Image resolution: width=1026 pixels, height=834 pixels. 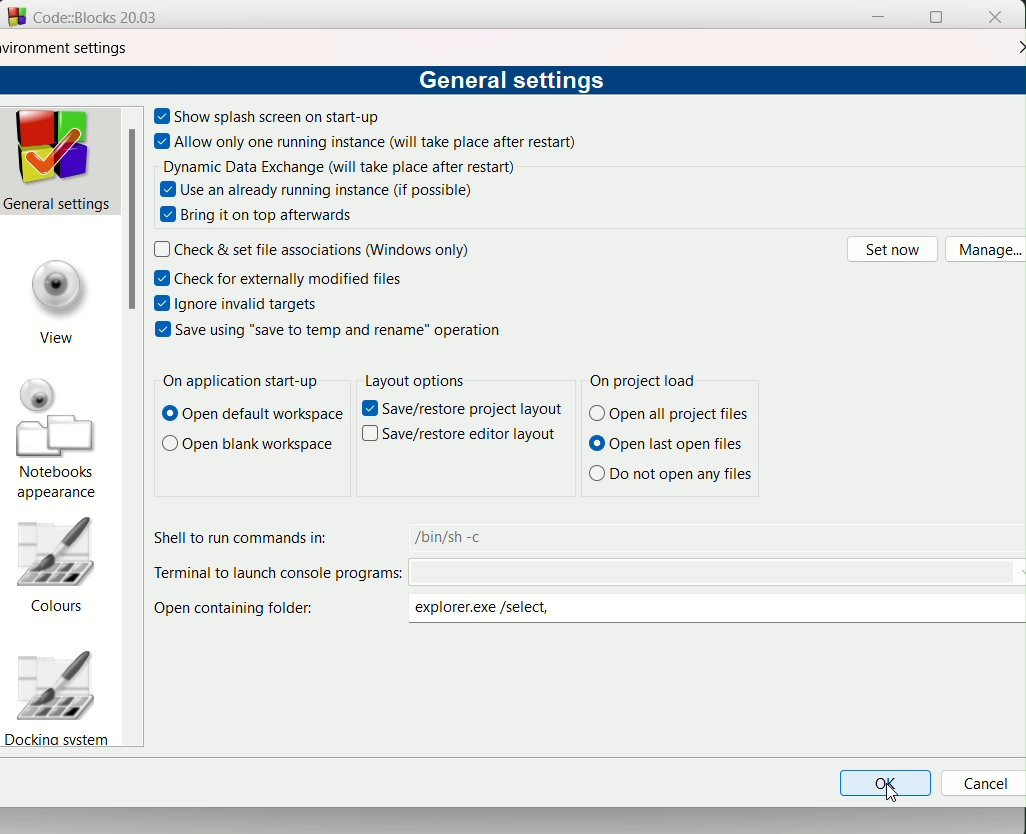 What do you see at coordinates (107, 17) in the screenshot?
I see `Code:Blocks 20.03` at bounding box center [107, 17].